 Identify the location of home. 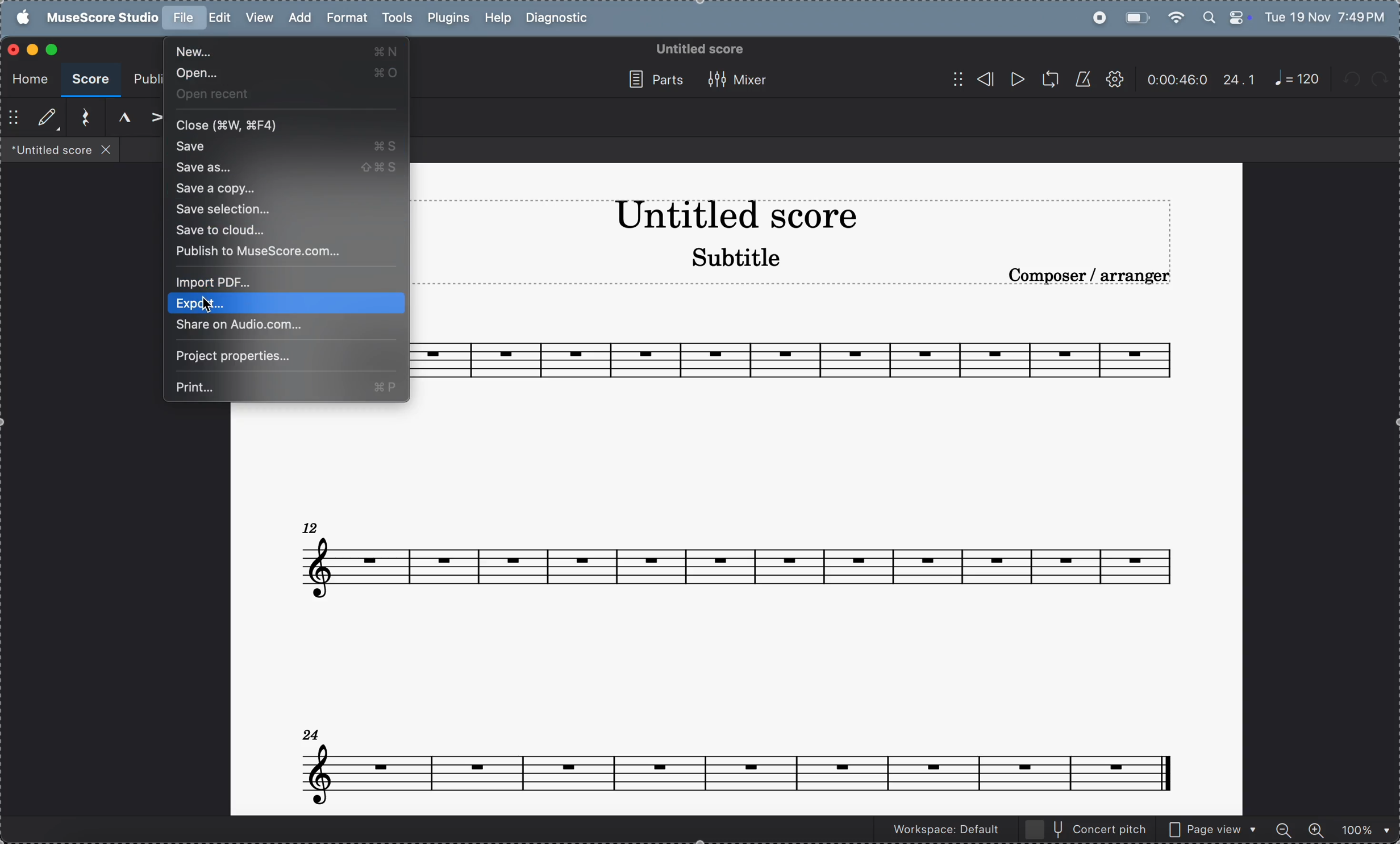
(27, 77).